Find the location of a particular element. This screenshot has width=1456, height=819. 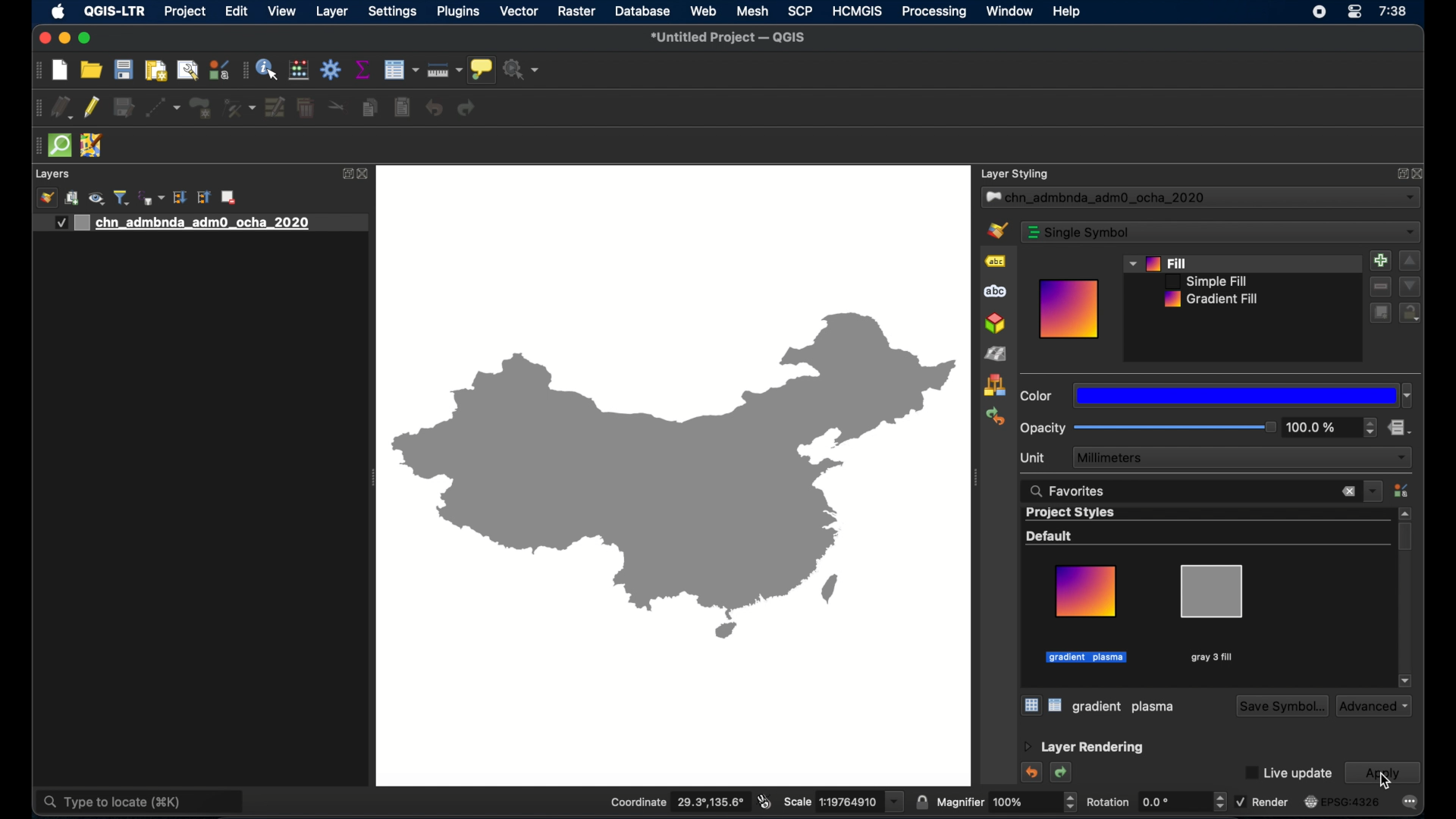

stepper buttons is located at coordinates (1370, 426).